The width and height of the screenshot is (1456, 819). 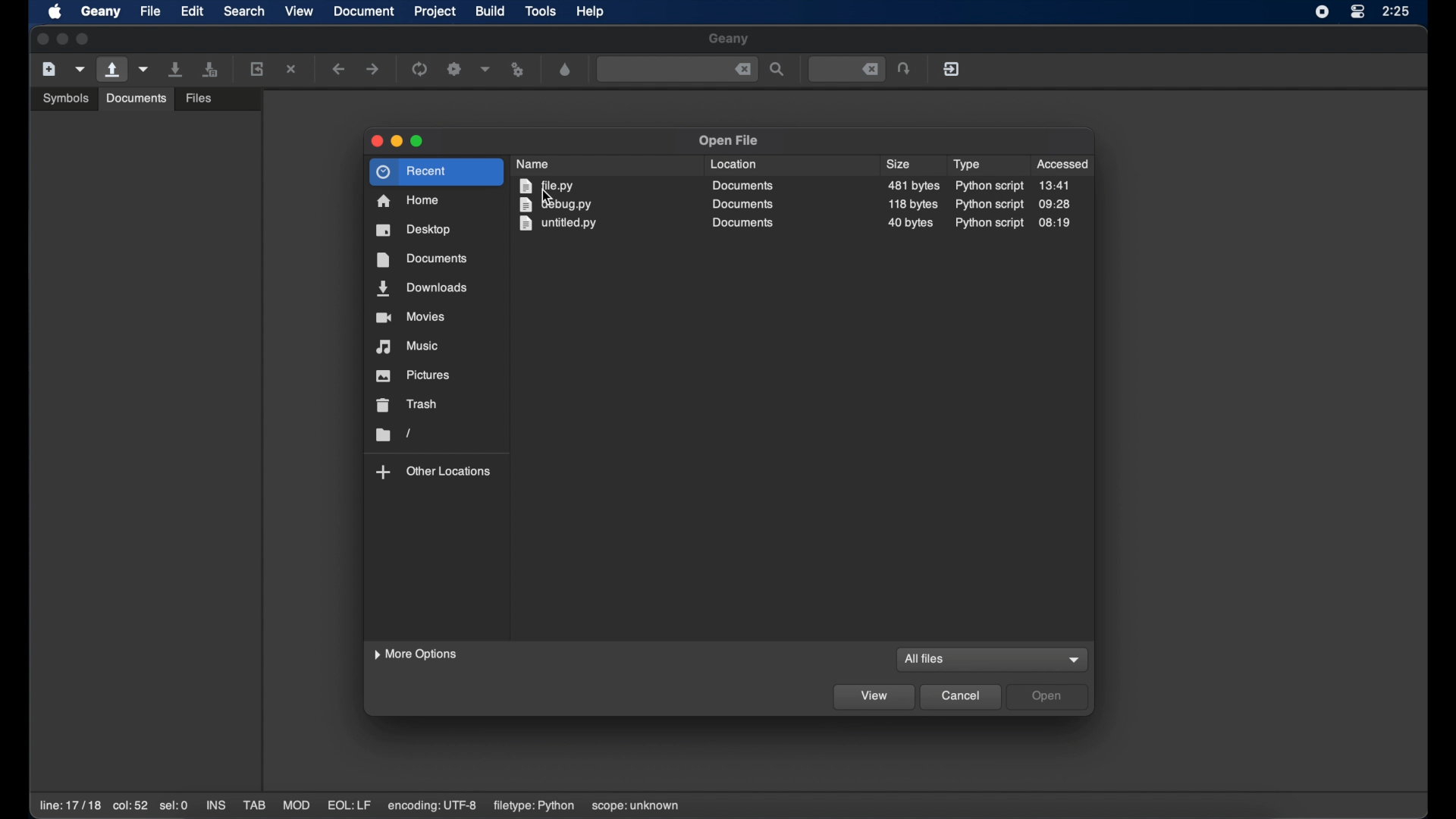 What do you see at coordinates (217, 805) in the screenshot?
I see `ins` at bounding box center [217, 805].